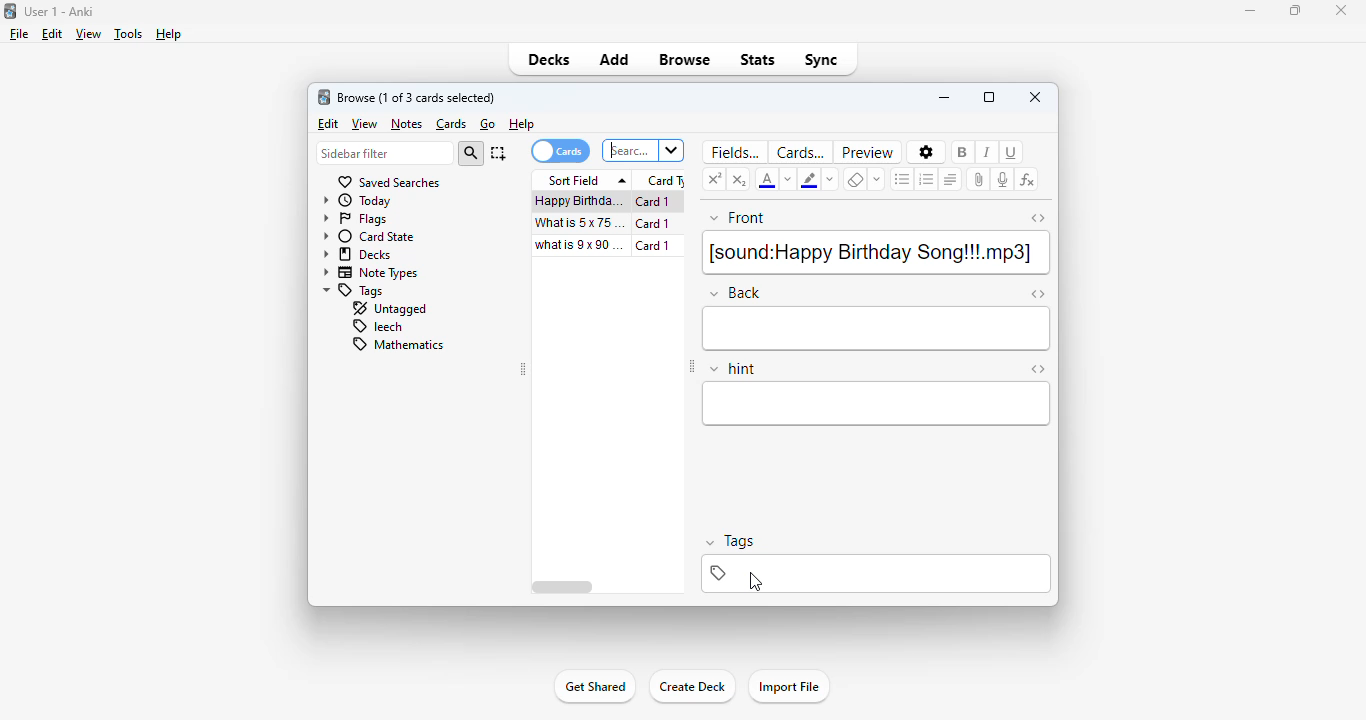 The image size is (1366, 720). Describe the element at coordinates (755, 582) in the screenshot. I see `cursor` at that location.